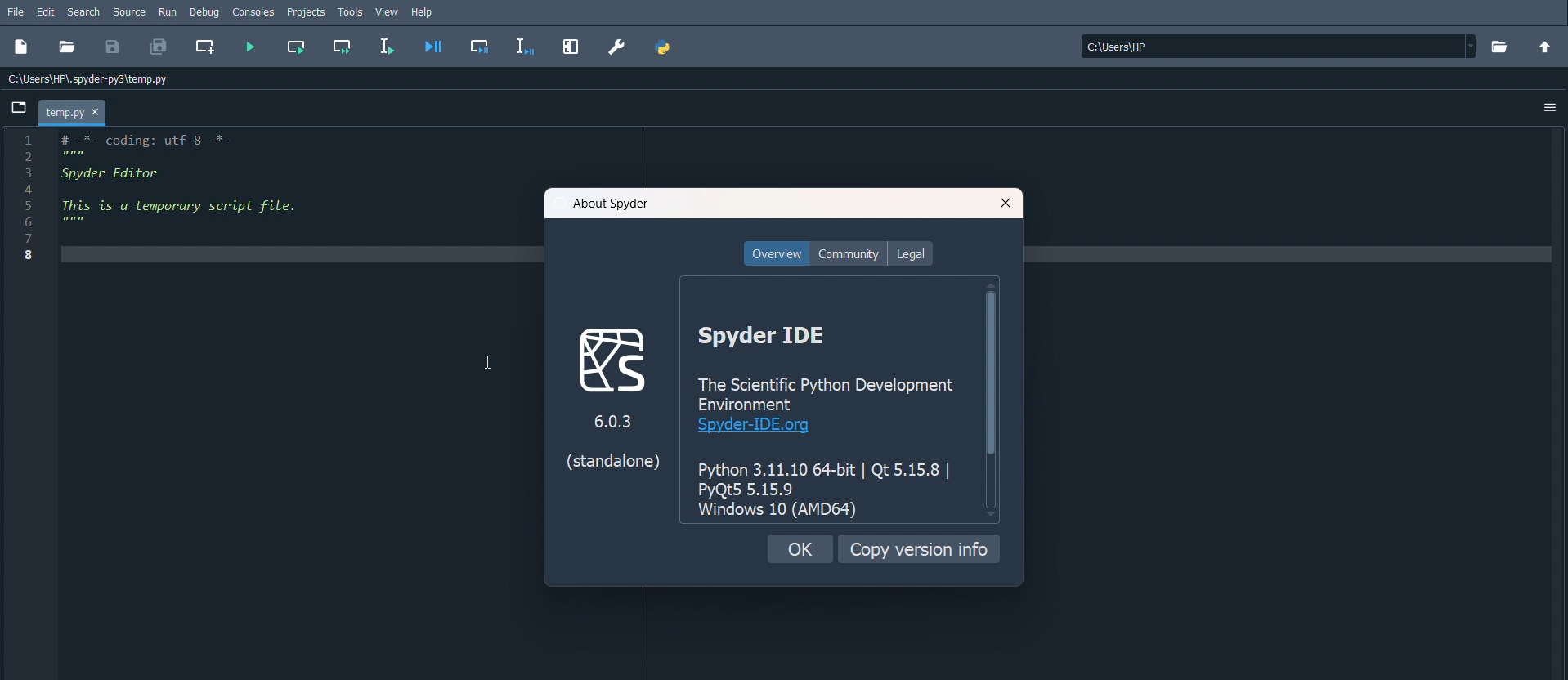 The height and width of the screenshot is (680, 1568). Describe the element at coordinates (827, 418) in the screenshot. I see `Spyder IDE

The Scientific Python Development
Environment

Spyder-IDE.org

Python 3.11.10 64-bit | Qt 5.15.8 |
PyQt5 5.15.9

Windows 10 (AMD64)` at that location.